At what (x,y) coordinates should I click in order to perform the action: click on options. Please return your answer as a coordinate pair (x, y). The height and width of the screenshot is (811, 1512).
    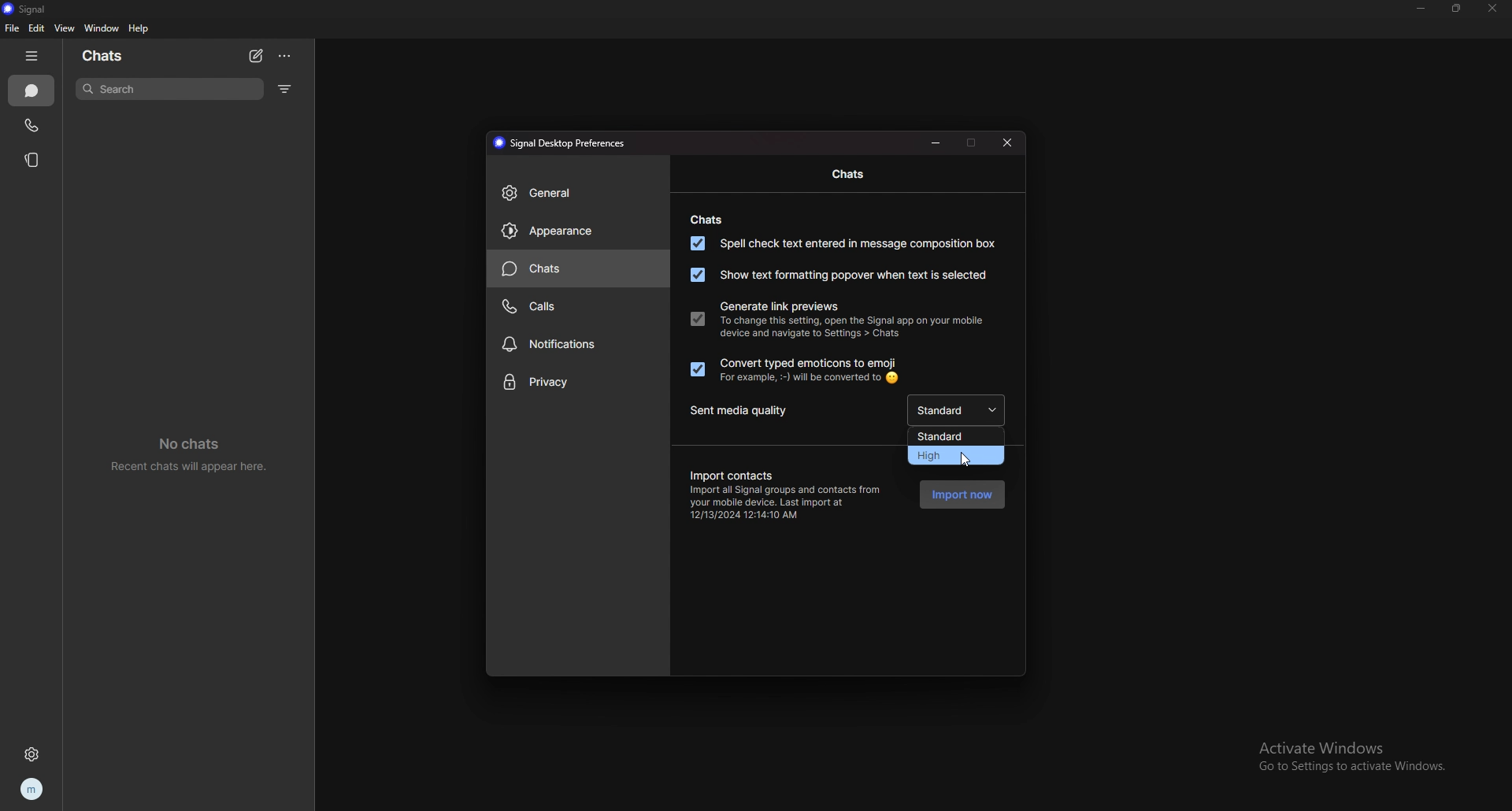
    Looking at the image, I should click on (286, 56).